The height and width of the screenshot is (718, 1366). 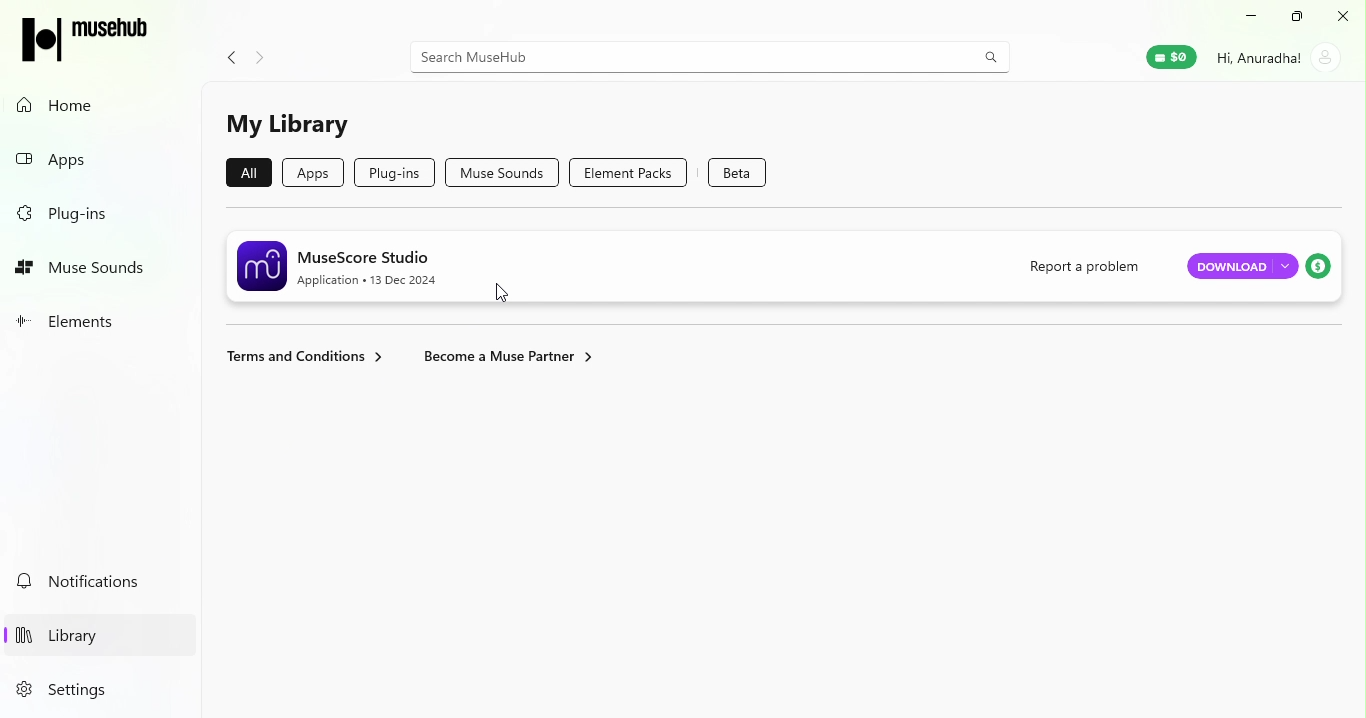 I want to click on Beta, so click(x=741, y=170).